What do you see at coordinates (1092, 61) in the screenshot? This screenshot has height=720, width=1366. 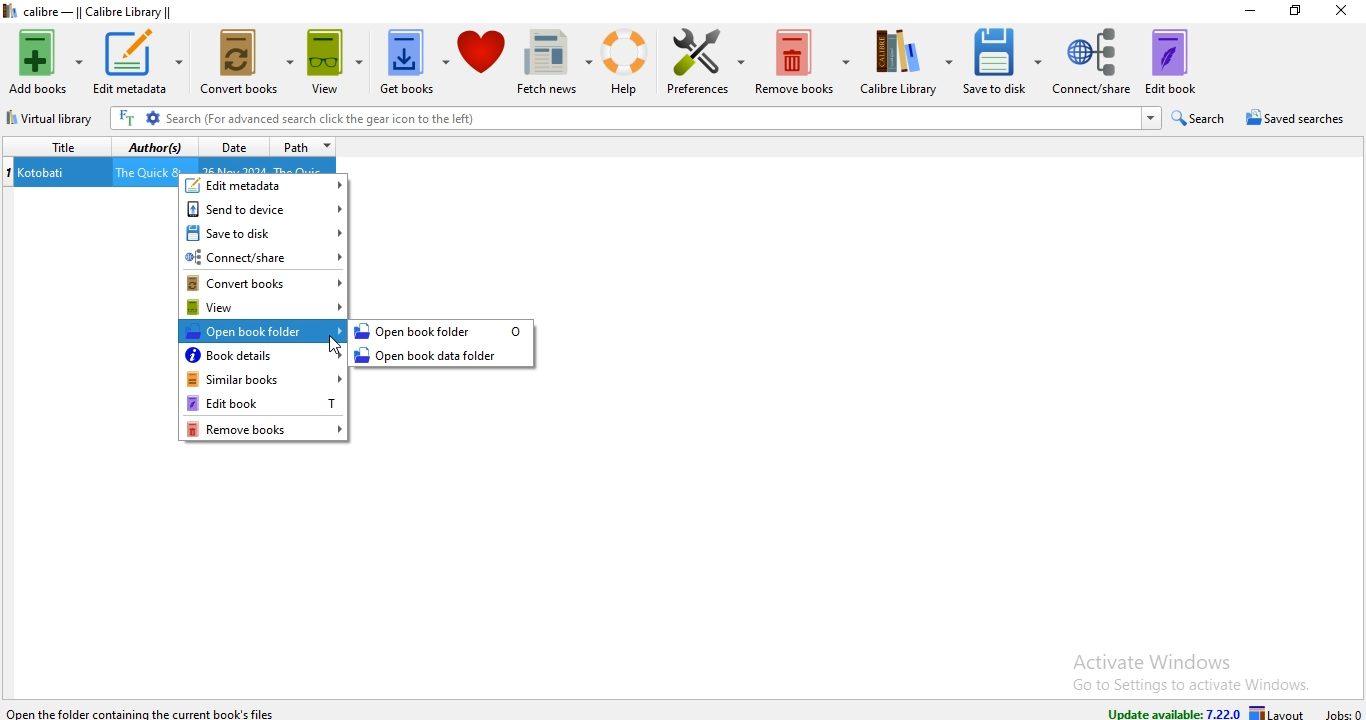 I see `connect/share` at bounding box center [1092, 61].